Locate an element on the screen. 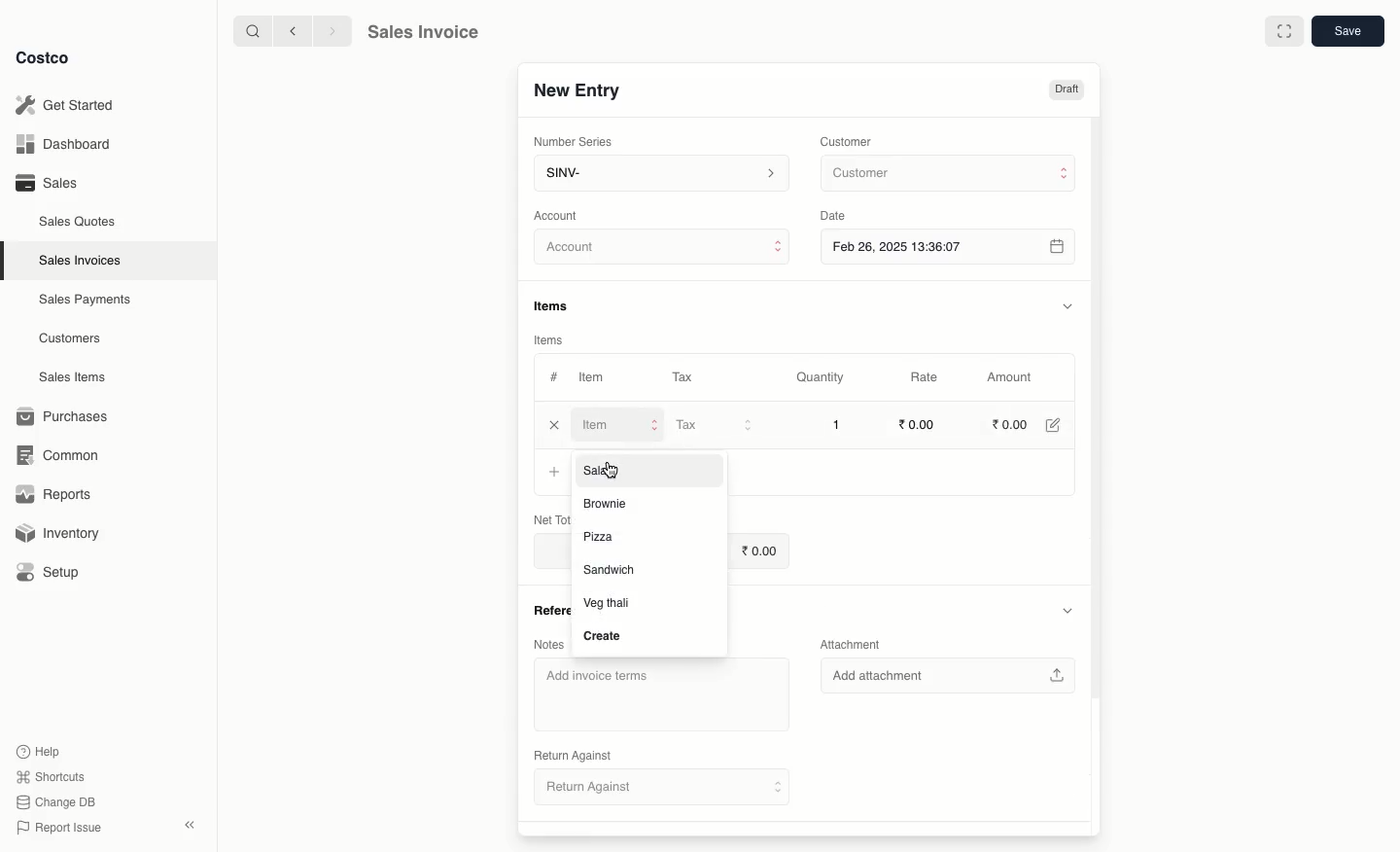 The height and width of the screenshot is (852, 1400). SINV- is located at coordinates (660, 175).